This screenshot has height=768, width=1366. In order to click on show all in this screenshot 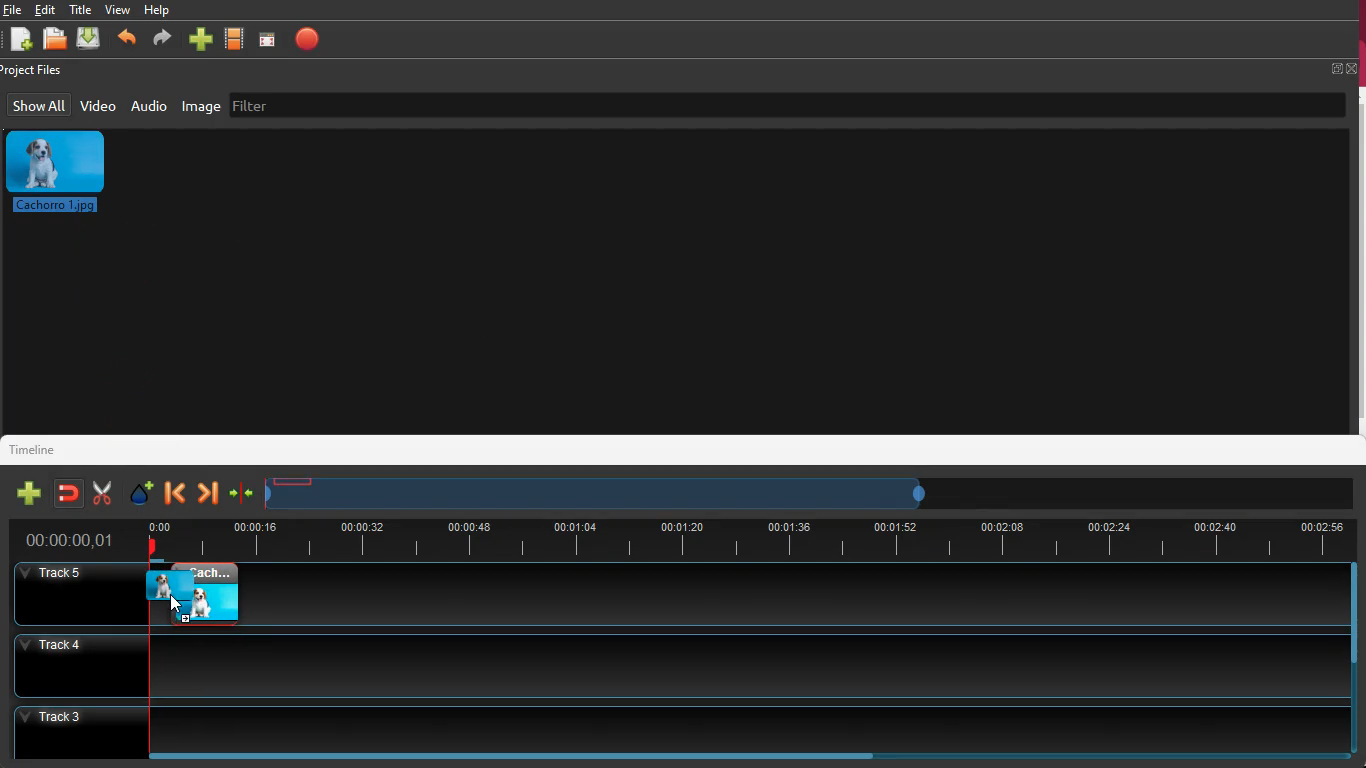, I will do `click(39, 105)`.